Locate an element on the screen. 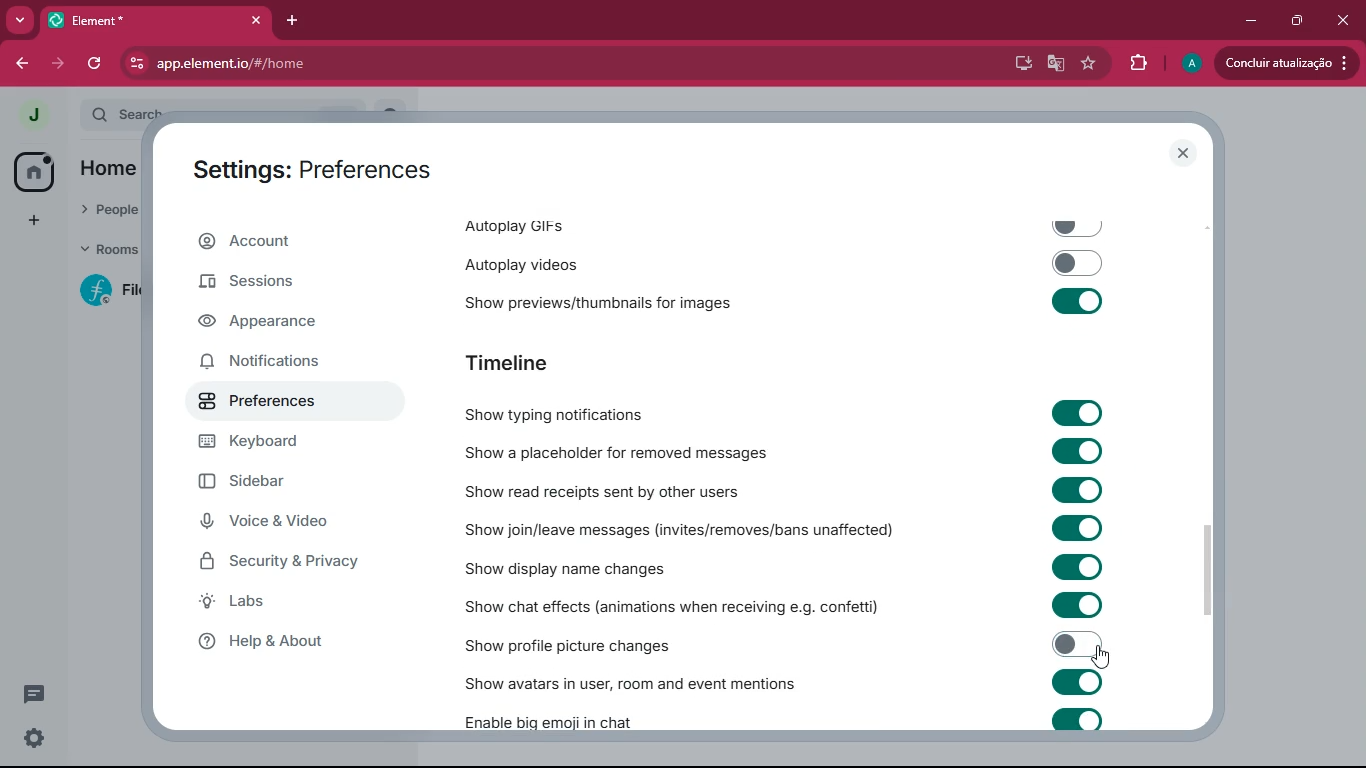  keyboard is located at coordinates (280, 445).